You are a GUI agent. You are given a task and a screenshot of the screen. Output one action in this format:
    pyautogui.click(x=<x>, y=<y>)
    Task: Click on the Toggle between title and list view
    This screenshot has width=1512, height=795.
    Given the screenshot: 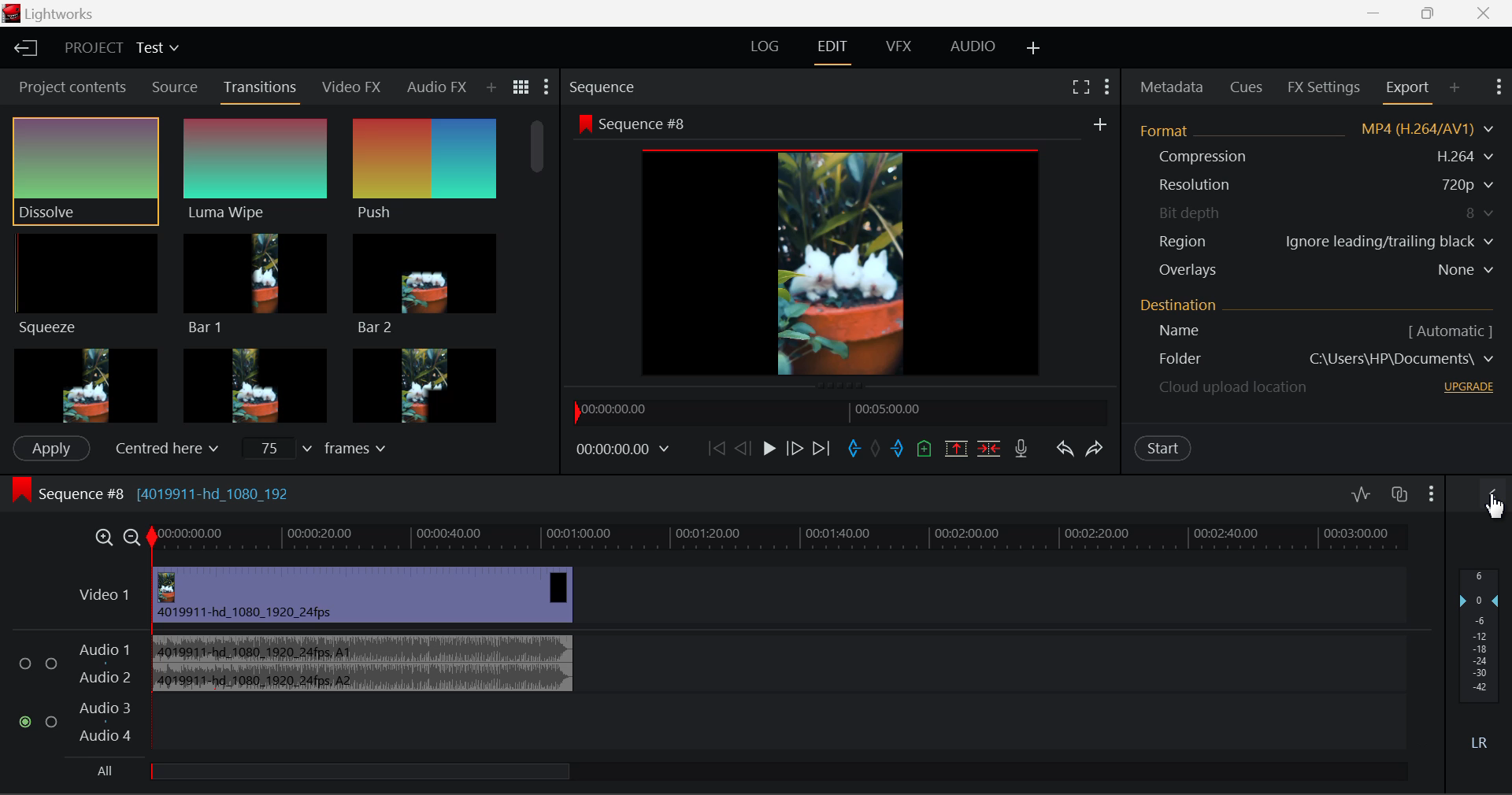 What is the action you would take?
    pyautogui.click(x=521, y=87)
    